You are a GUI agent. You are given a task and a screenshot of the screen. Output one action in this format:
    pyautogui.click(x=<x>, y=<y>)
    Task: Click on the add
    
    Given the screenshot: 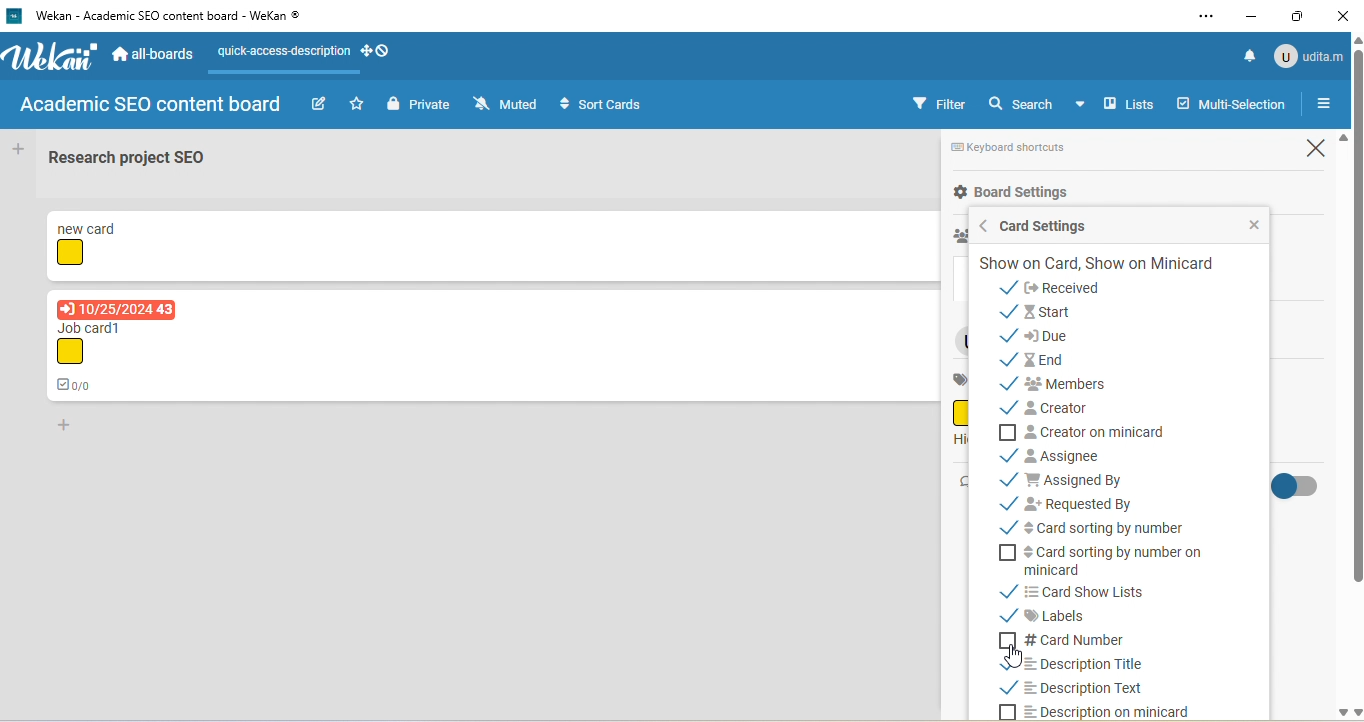 What is the action you would take?
    pyautogui.click(x=21, y=150)
    